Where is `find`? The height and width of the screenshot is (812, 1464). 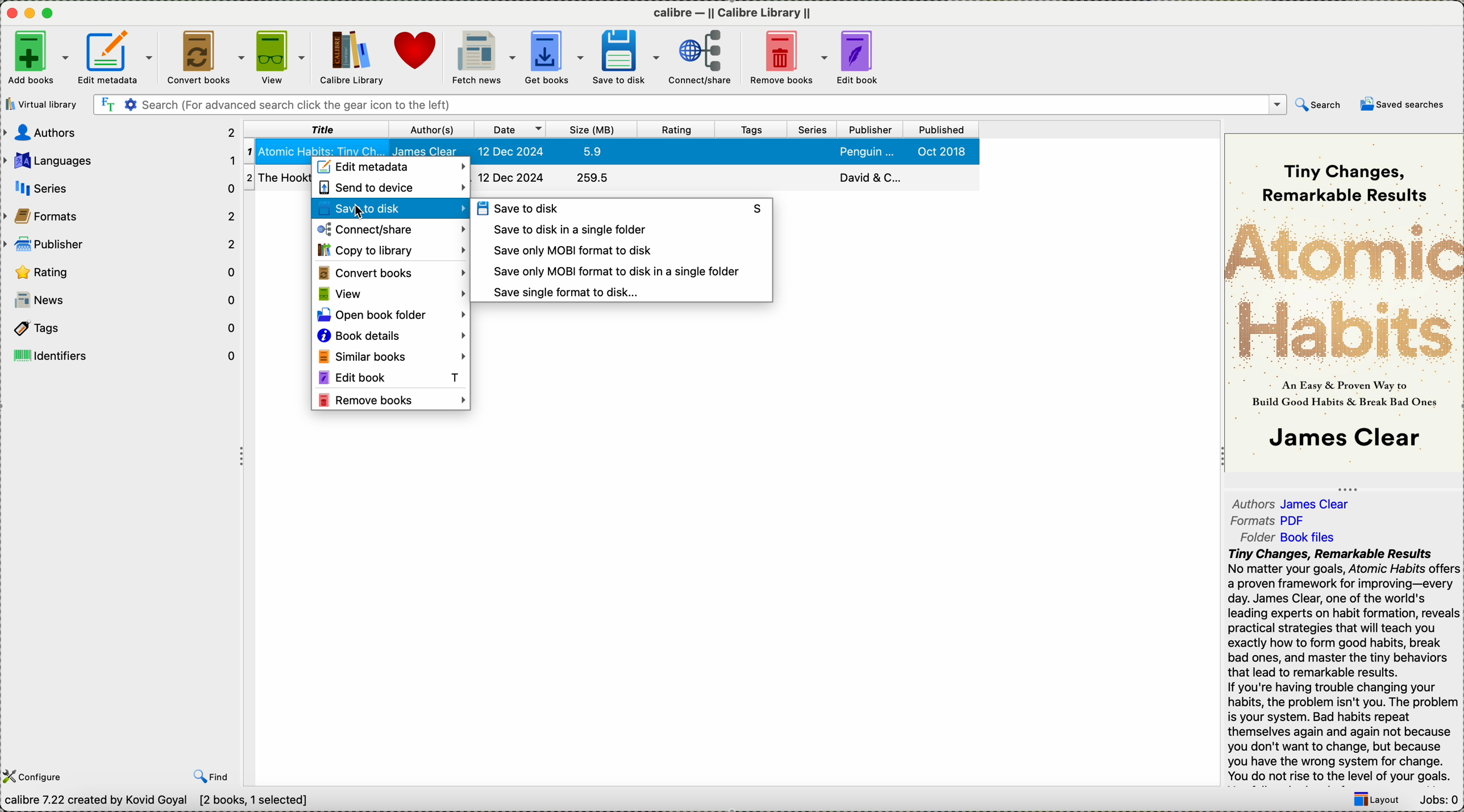 find is located at coordinates (210, 777).